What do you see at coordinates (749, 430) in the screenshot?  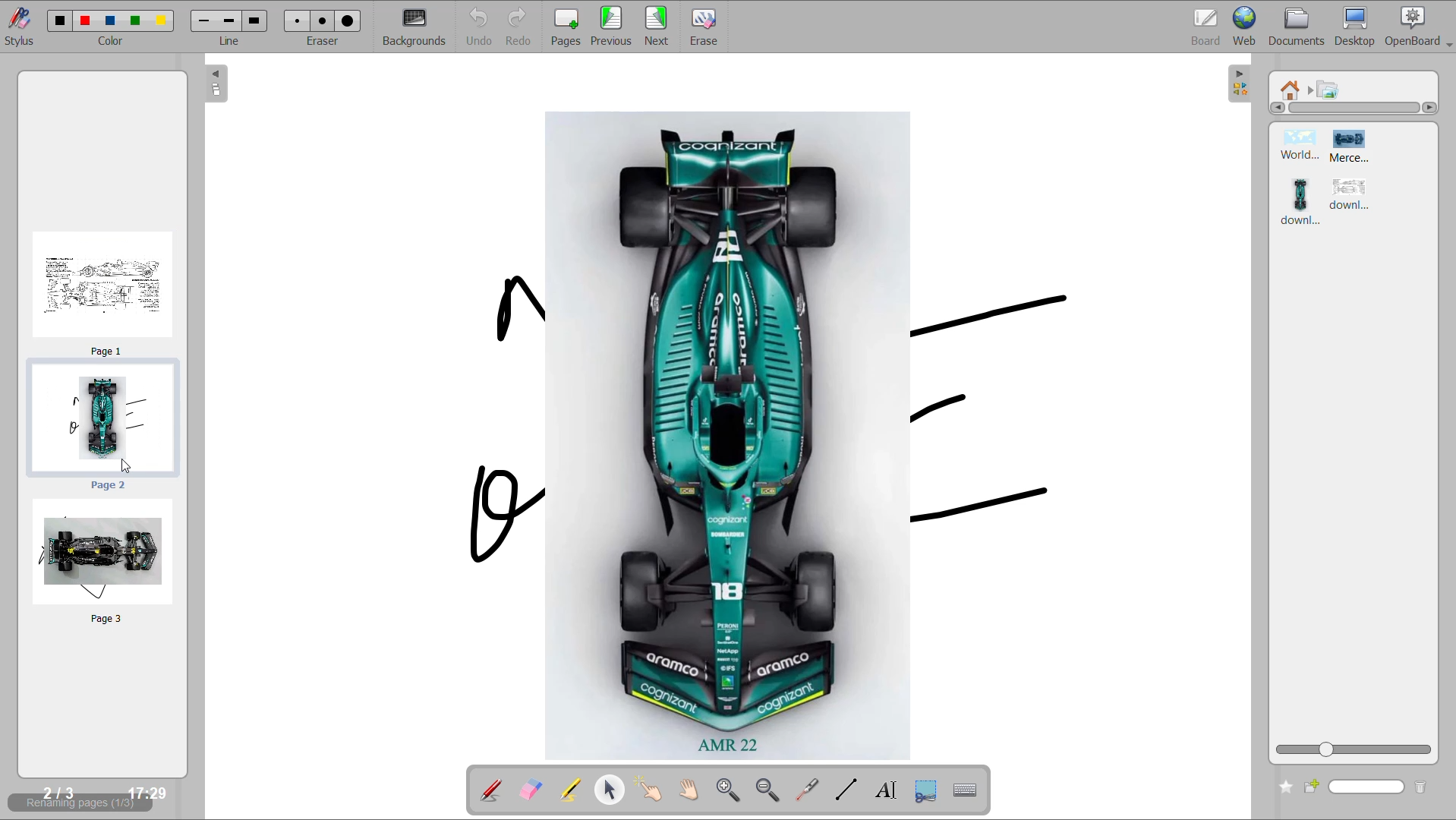 I see `image from current page` at bounding box center [749, 430].